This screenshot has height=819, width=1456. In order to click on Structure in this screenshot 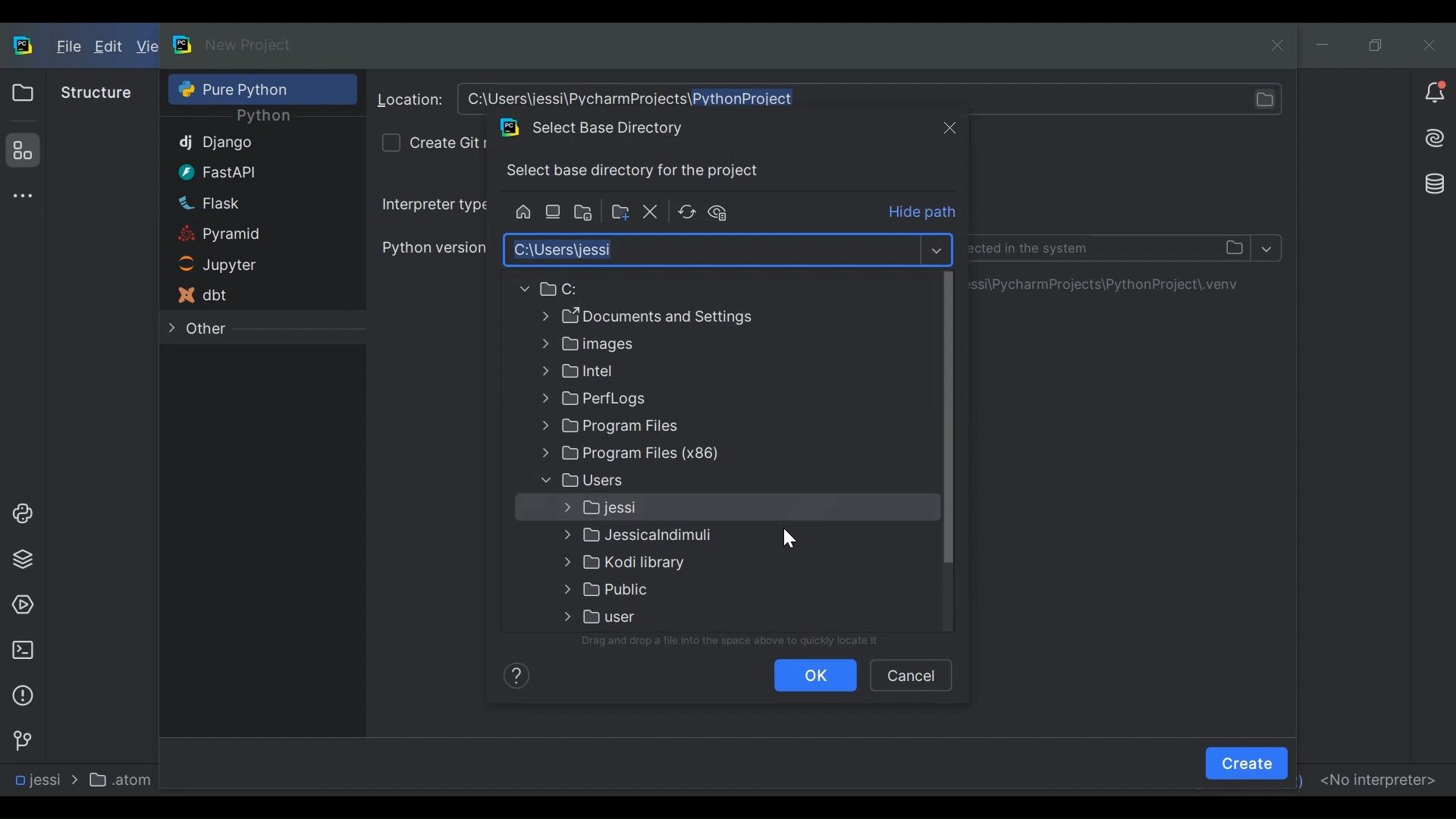, I will do `click(20, 150)`.